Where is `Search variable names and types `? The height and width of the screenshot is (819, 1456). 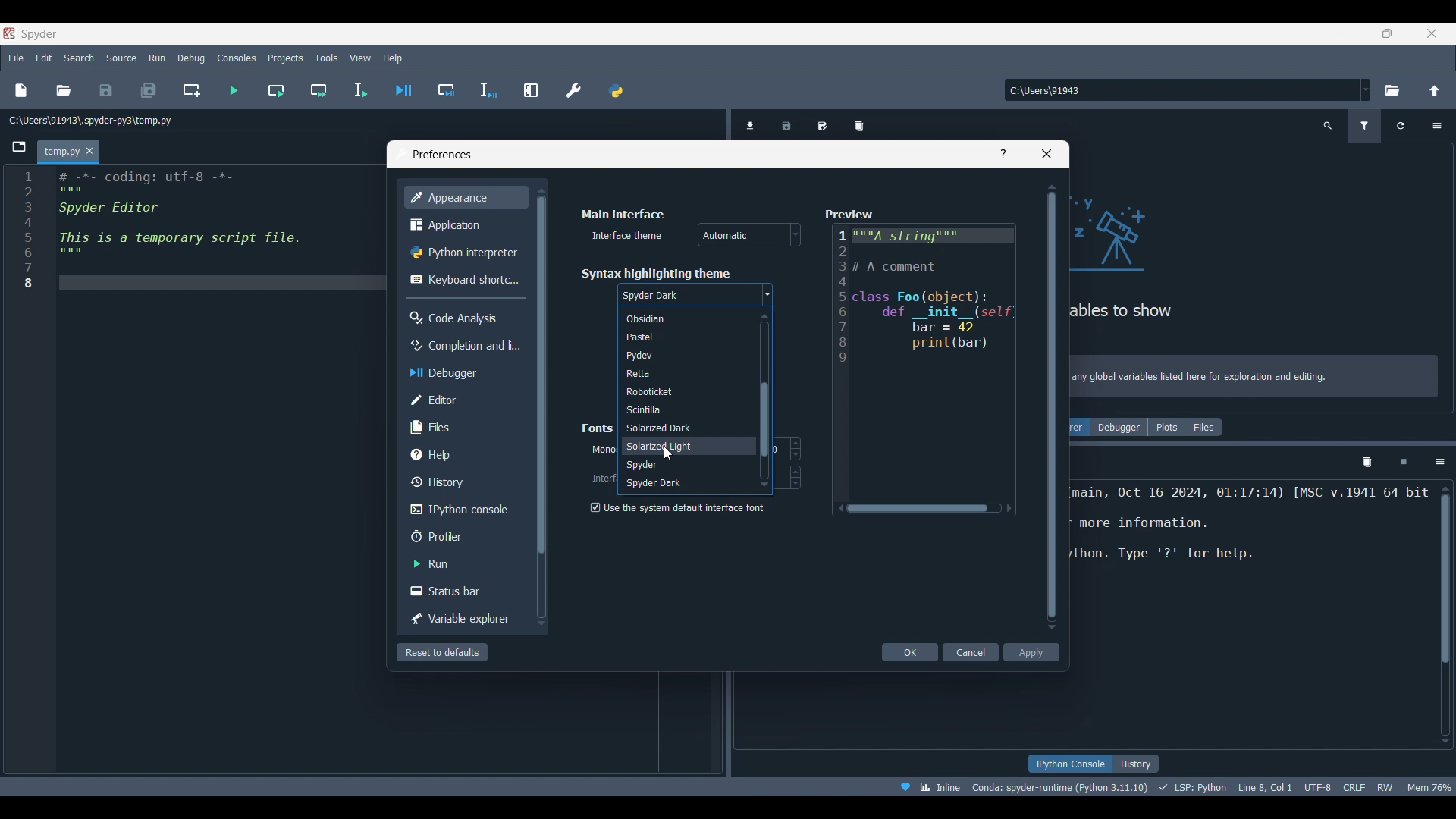 Search variable names and types  is located at coordinates (1328, 126).